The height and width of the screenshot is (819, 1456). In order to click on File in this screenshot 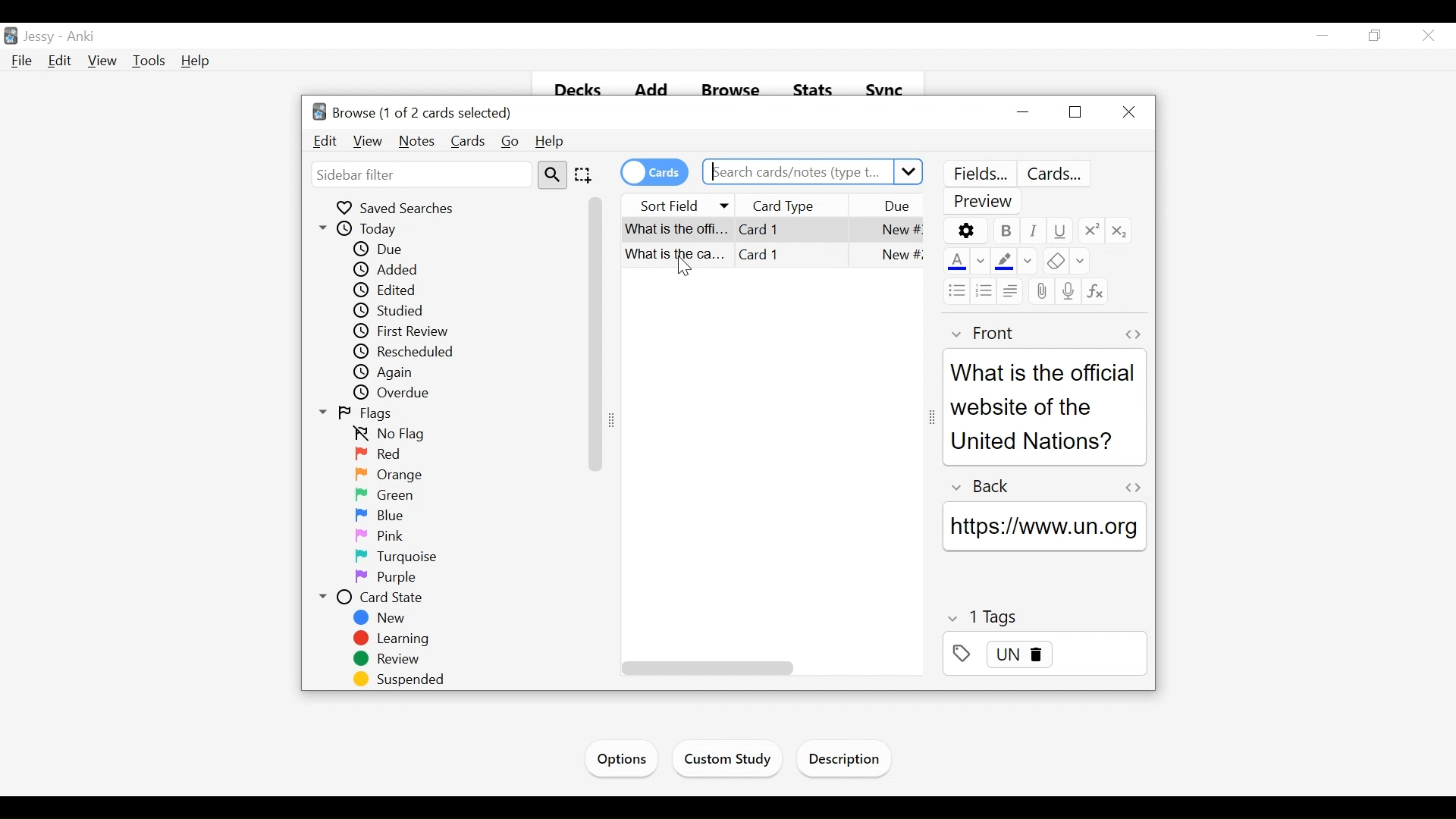, I will do `click(24, 61)`.